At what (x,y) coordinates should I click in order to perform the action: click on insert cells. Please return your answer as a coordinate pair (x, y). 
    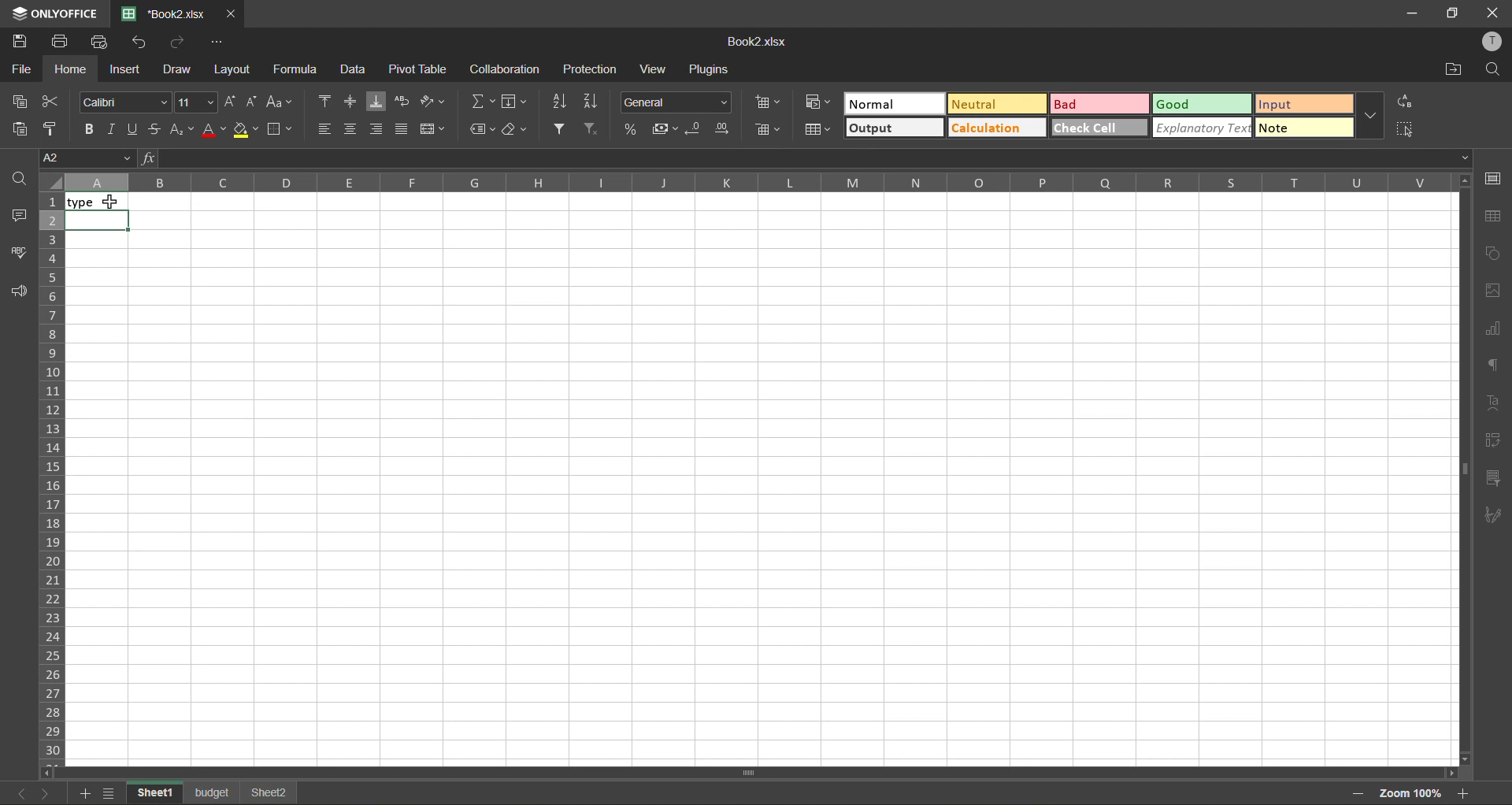
    Looking at the image, I should click on (766, 101).